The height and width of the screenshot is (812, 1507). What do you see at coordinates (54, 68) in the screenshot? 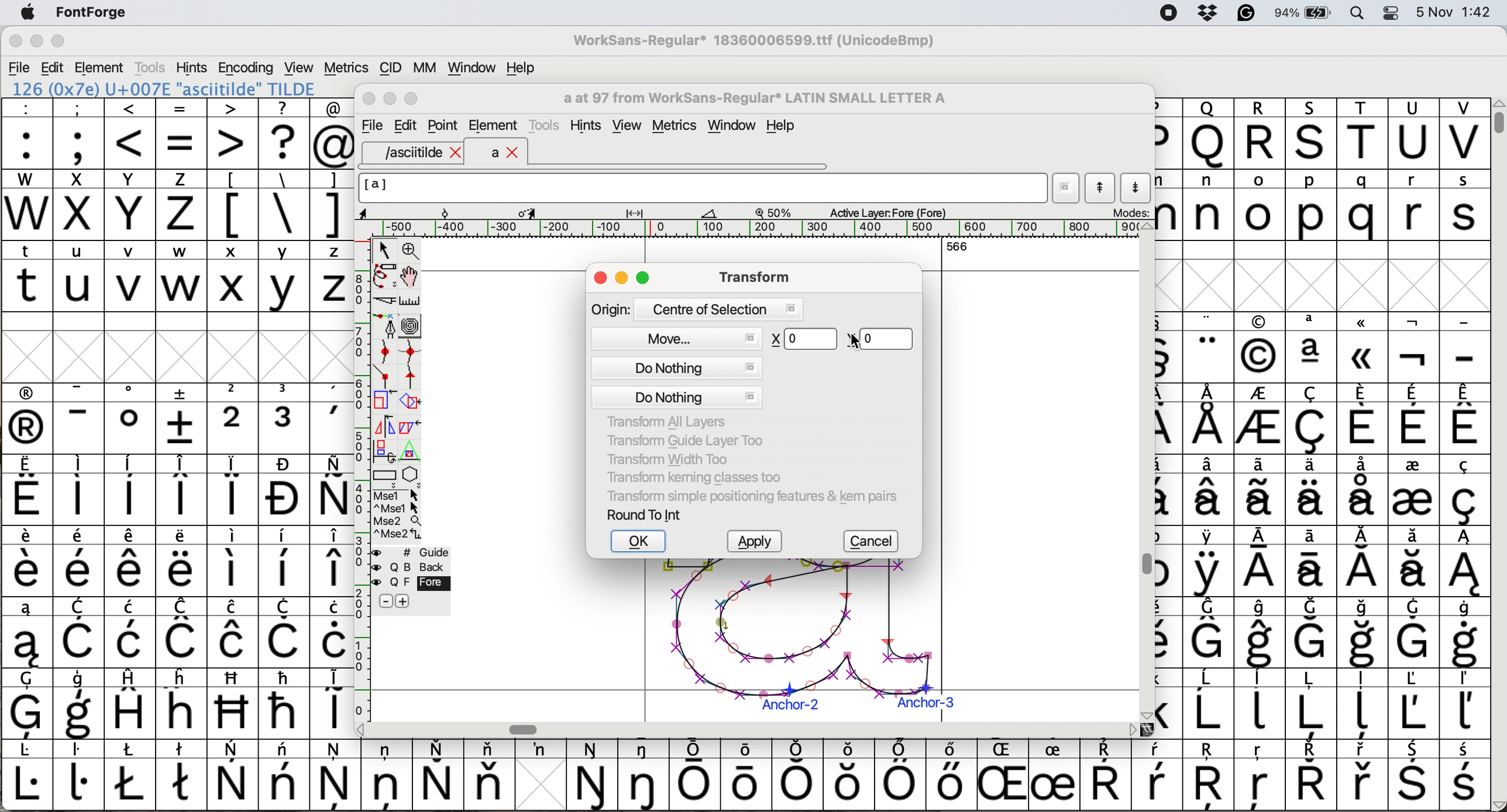
I see `edit` at bounding box center [54, 68].